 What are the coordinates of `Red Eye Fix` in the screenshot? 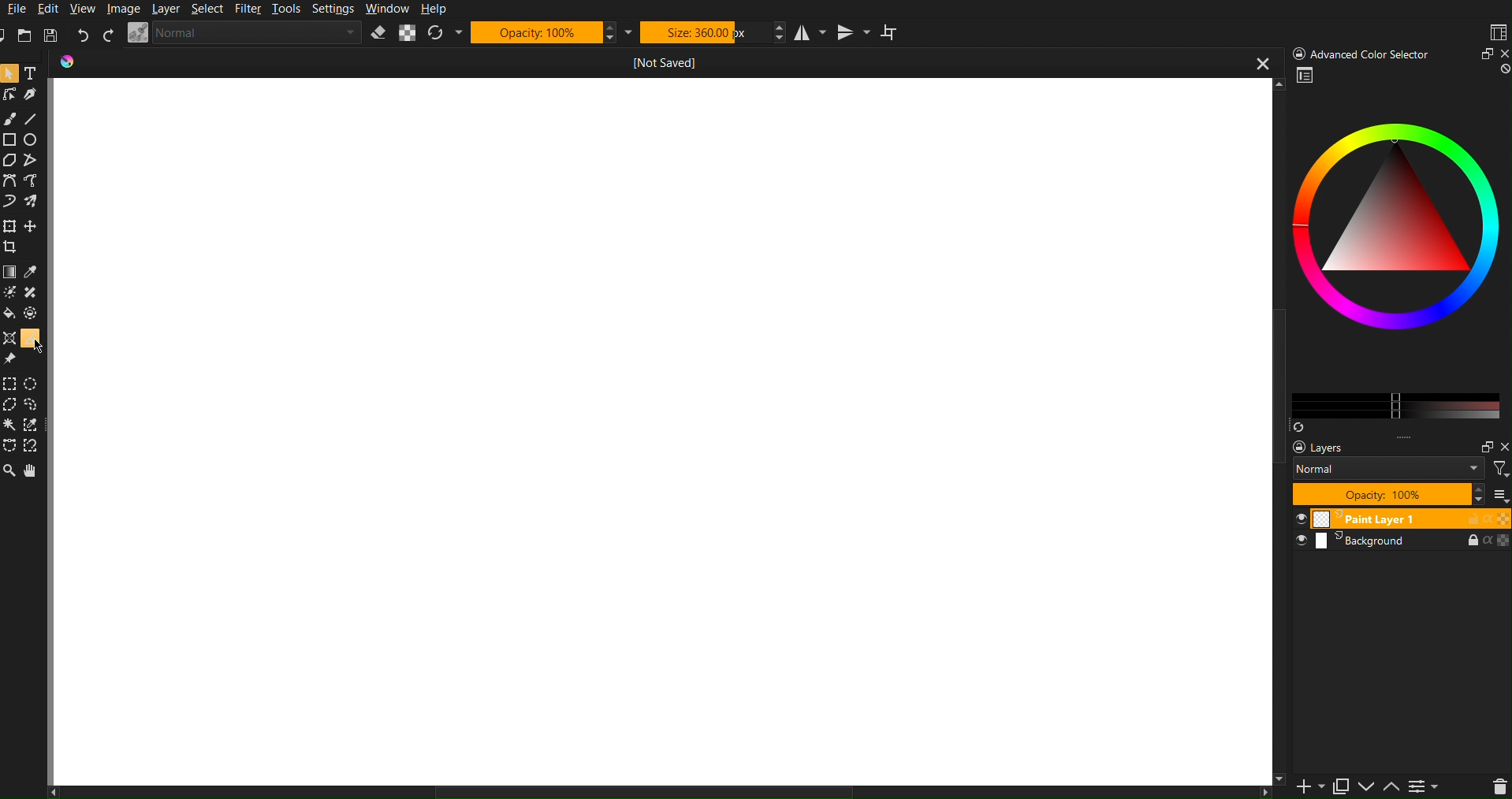 It's located at (11, 200).